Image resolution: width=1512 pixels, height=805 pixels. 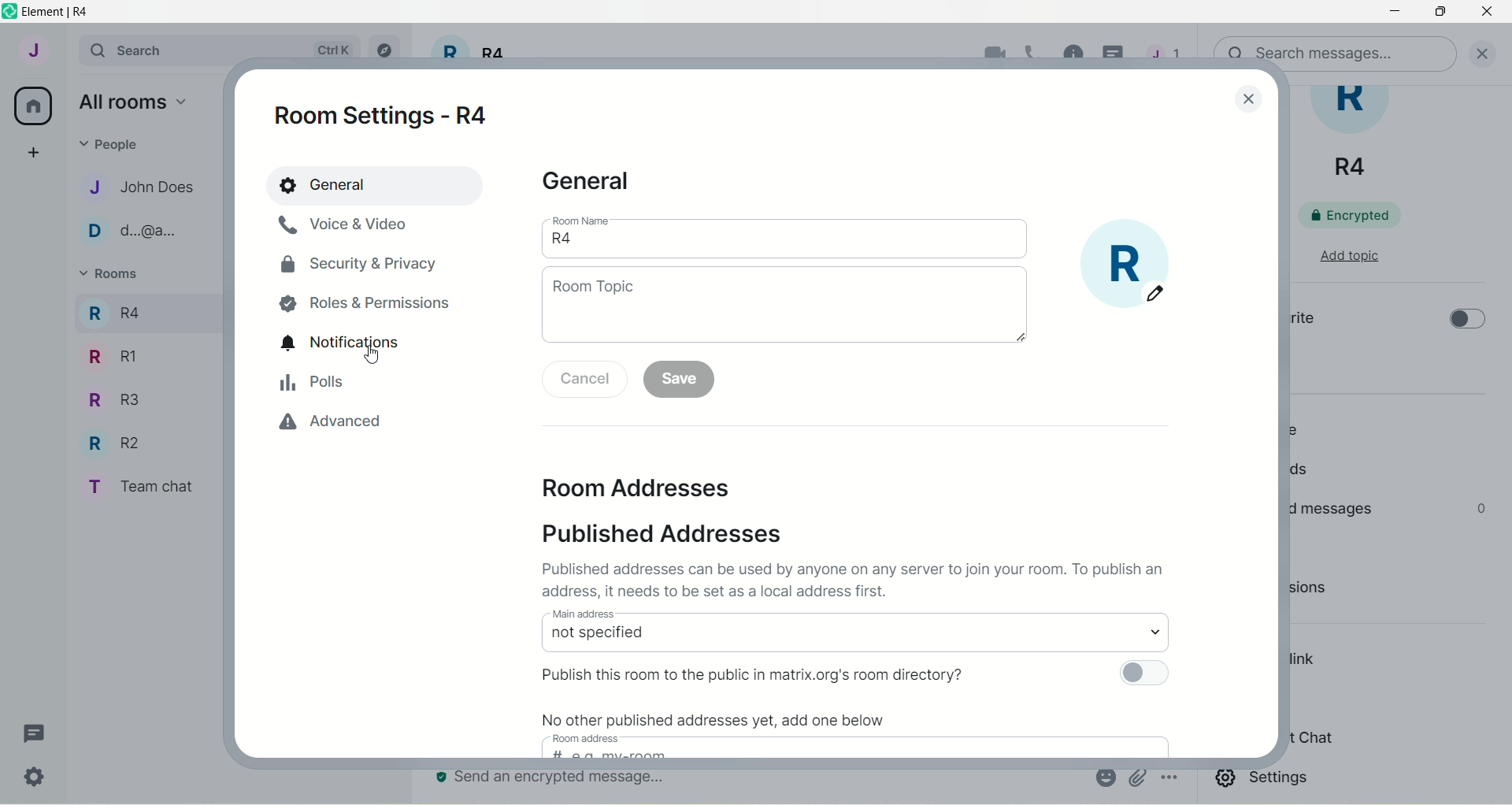 I want to click on video call, so click(x=995, y=51).